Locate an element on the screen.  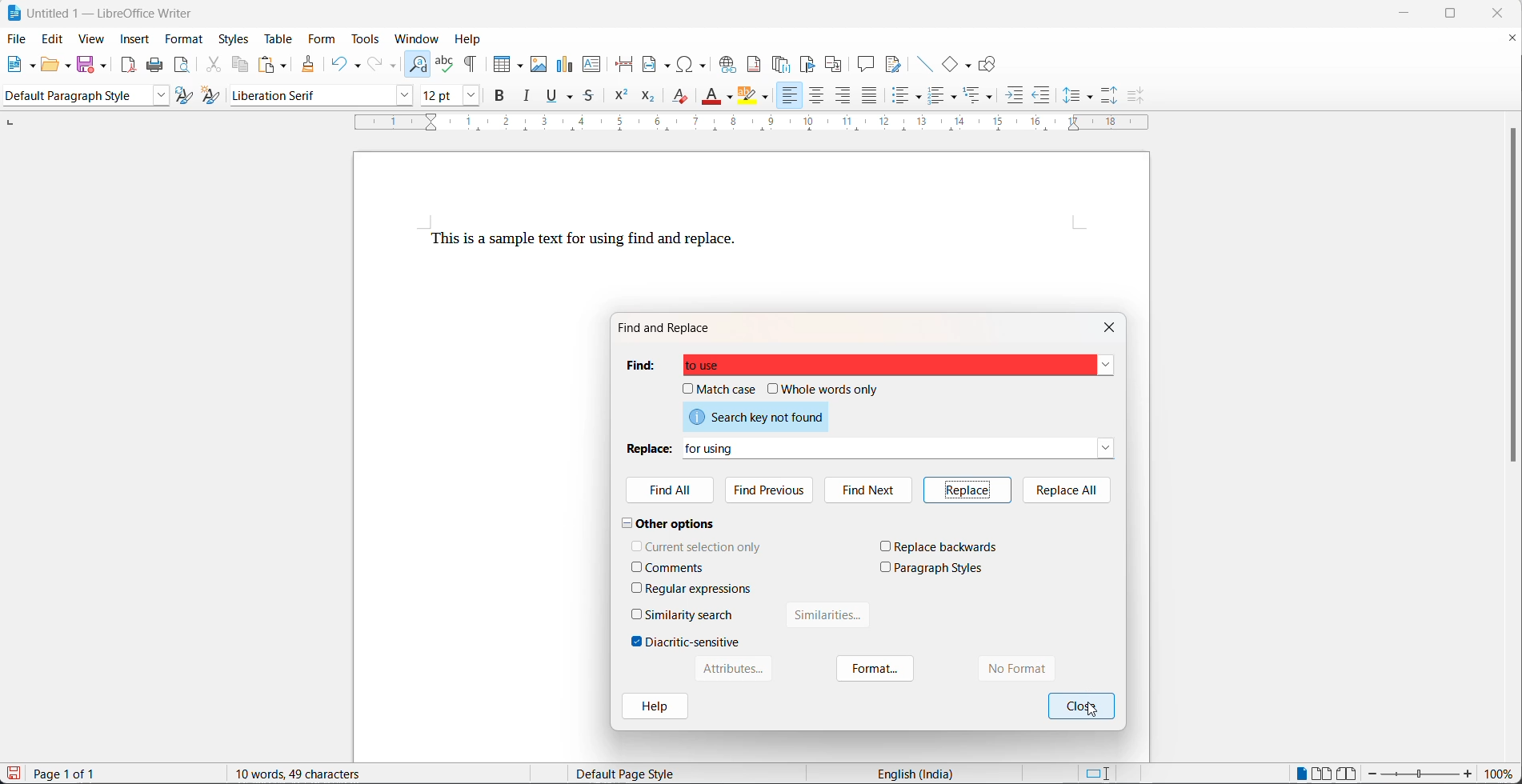
select outline formatting is located at coordinates (984, 95).